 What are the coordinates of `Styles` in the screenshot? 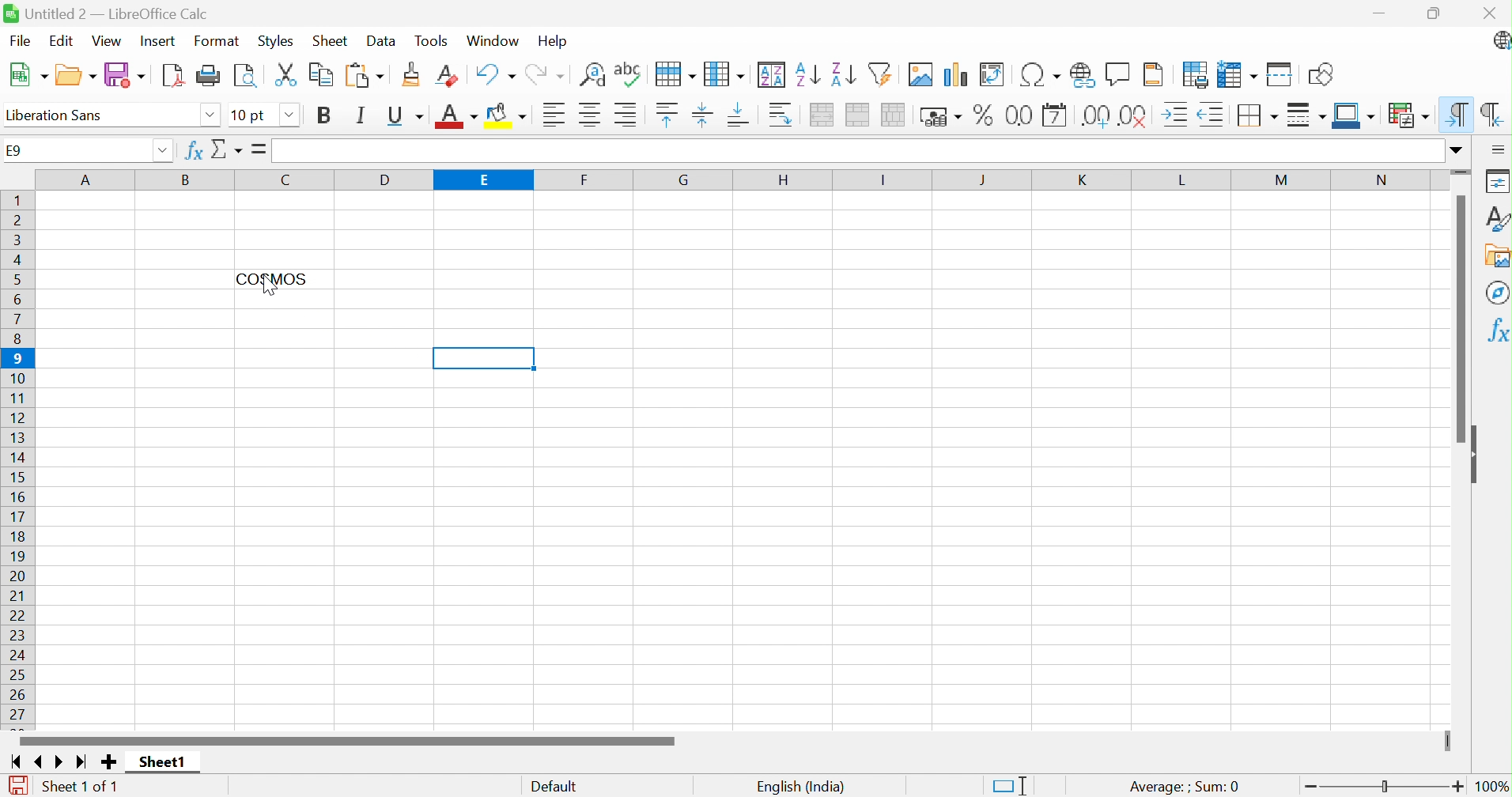 It's located at (275, 43).